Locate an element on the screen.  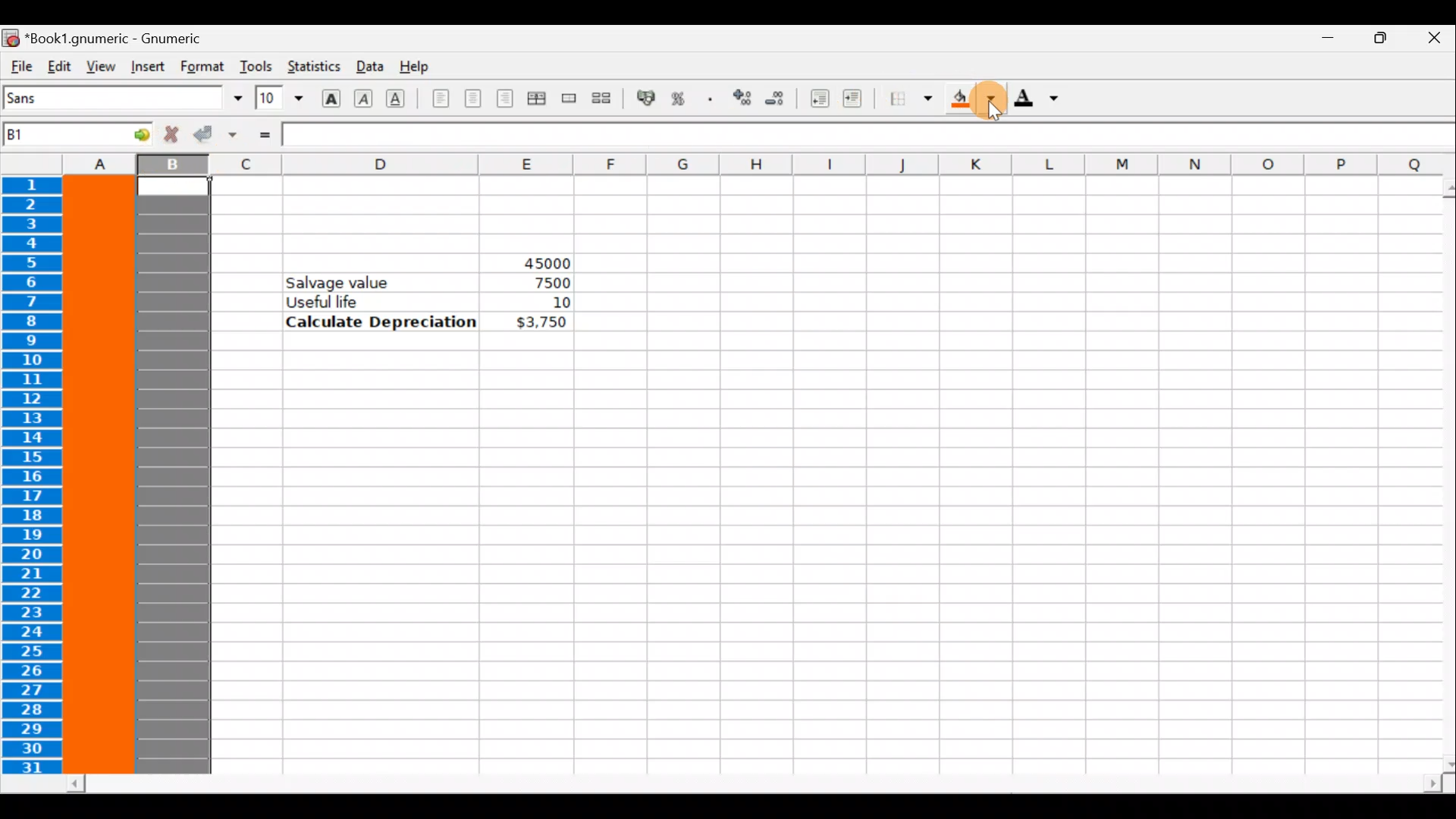
Salvage value is located at coordinates (347, 281).